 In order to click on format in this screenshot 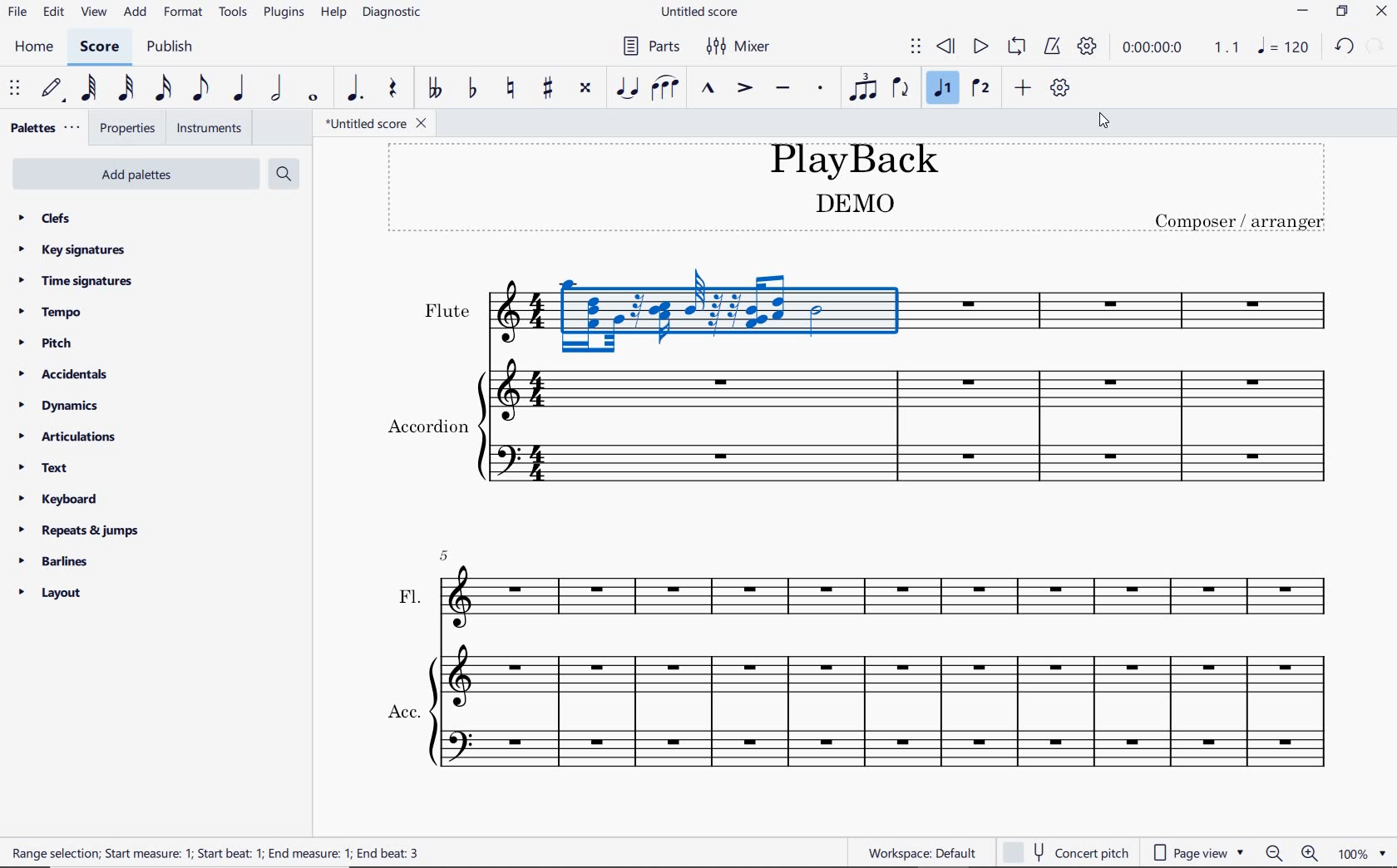, I will do `click(185, 11)`.